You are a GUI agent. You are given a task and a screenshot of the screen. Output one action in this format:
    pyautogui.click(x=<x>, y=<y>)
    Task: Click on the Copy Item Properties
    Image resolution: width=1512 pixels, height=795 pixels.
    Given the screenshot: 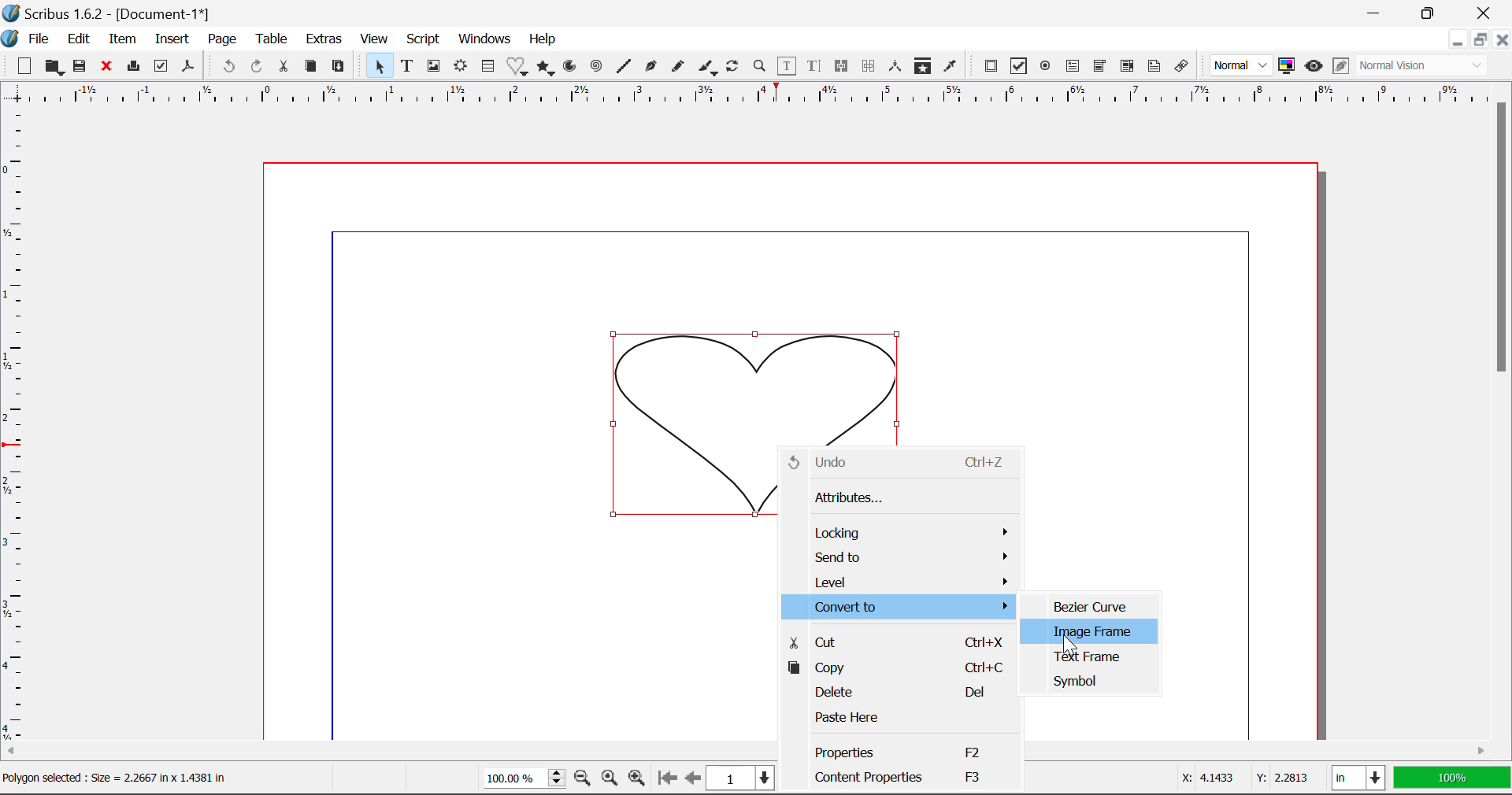 What is the action you would take?
    pyautogui.click(x=926, y=68)
    